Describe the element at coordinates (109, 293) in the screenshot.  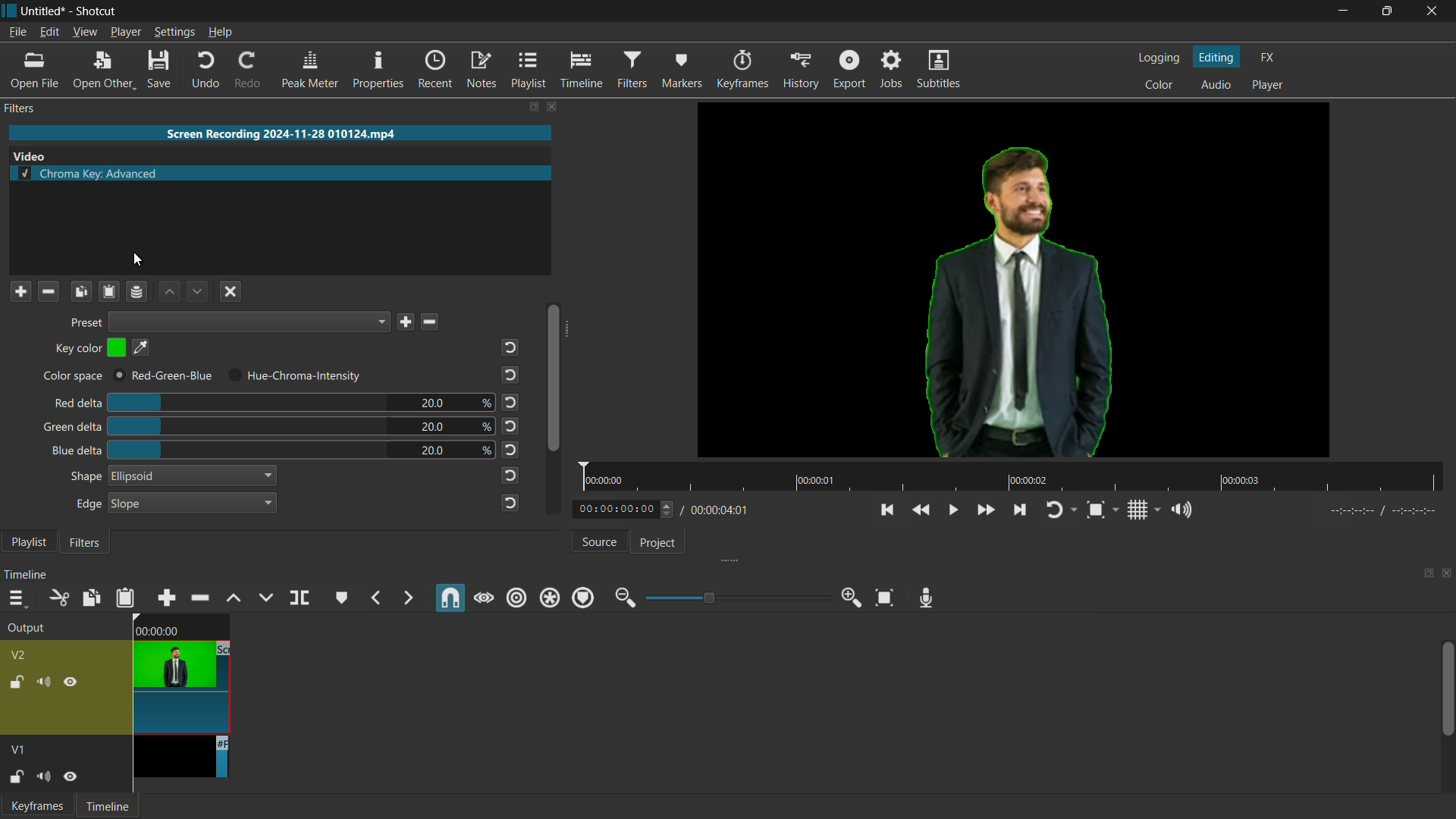
I see `Clipboard` at that location.